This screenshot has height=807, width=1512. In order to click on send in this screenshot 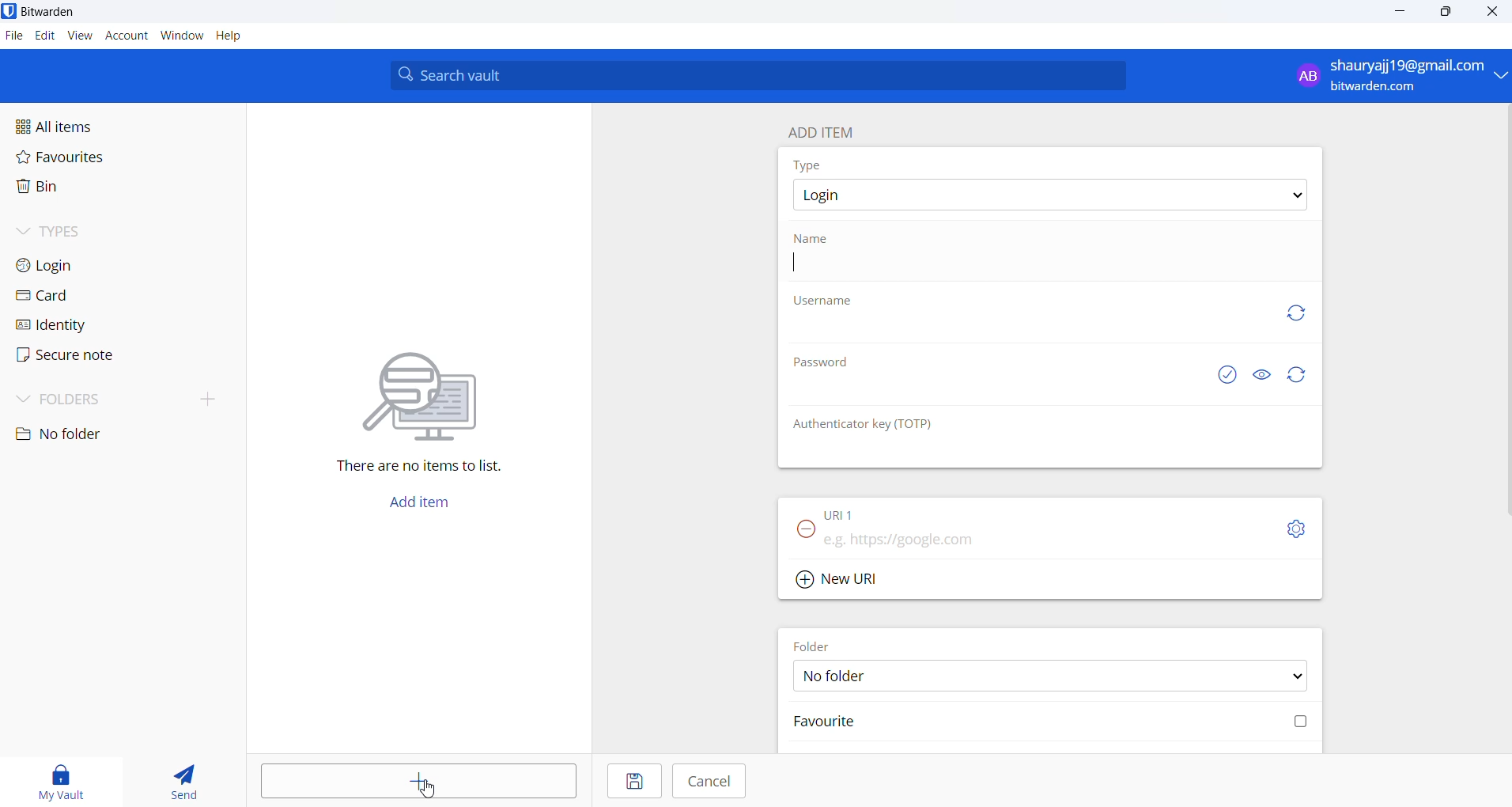, I will do `click(176, 777)`.